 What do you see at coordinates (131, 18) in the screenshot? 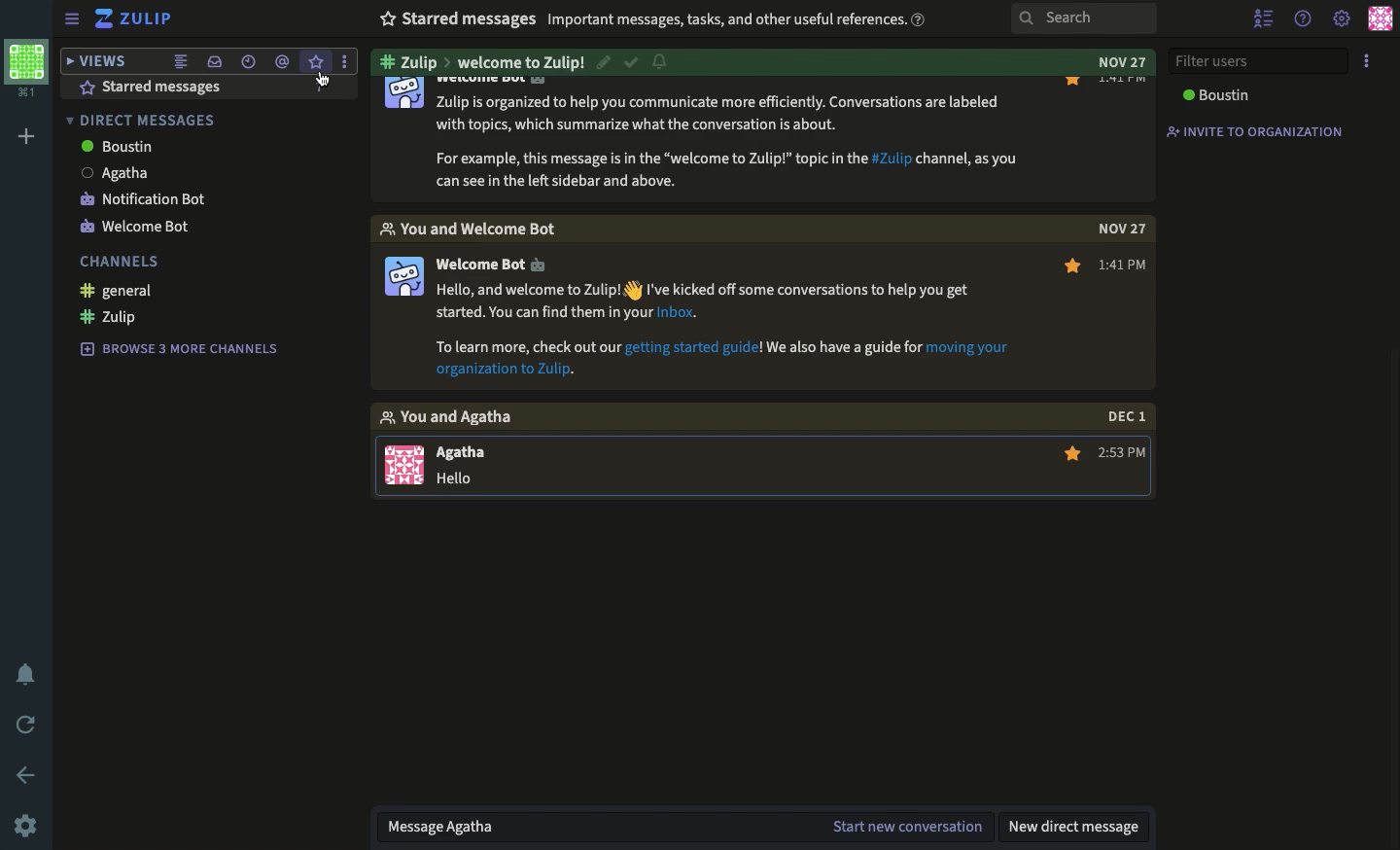
I see `zulip` at bounding box center [131, 18].